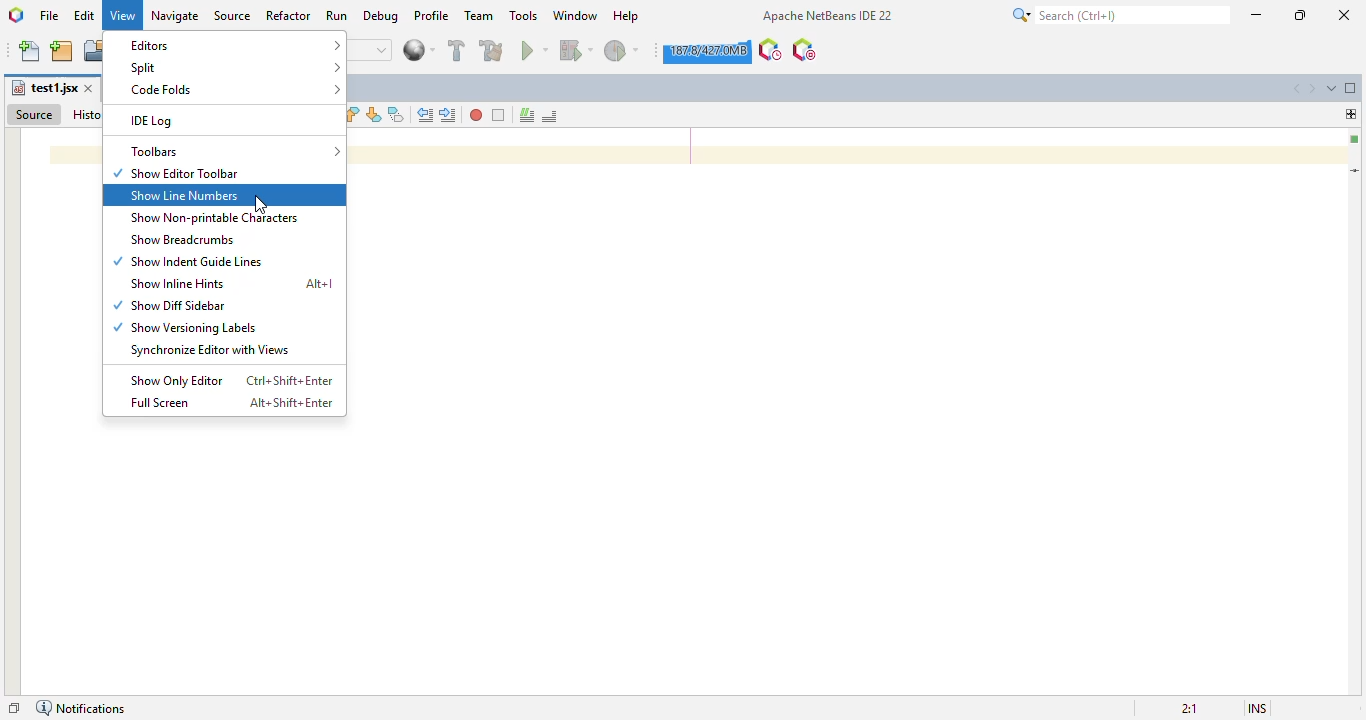 The height and width of the screenshot is (720, 1366). I want to click on IDE log, so click(154, 122).